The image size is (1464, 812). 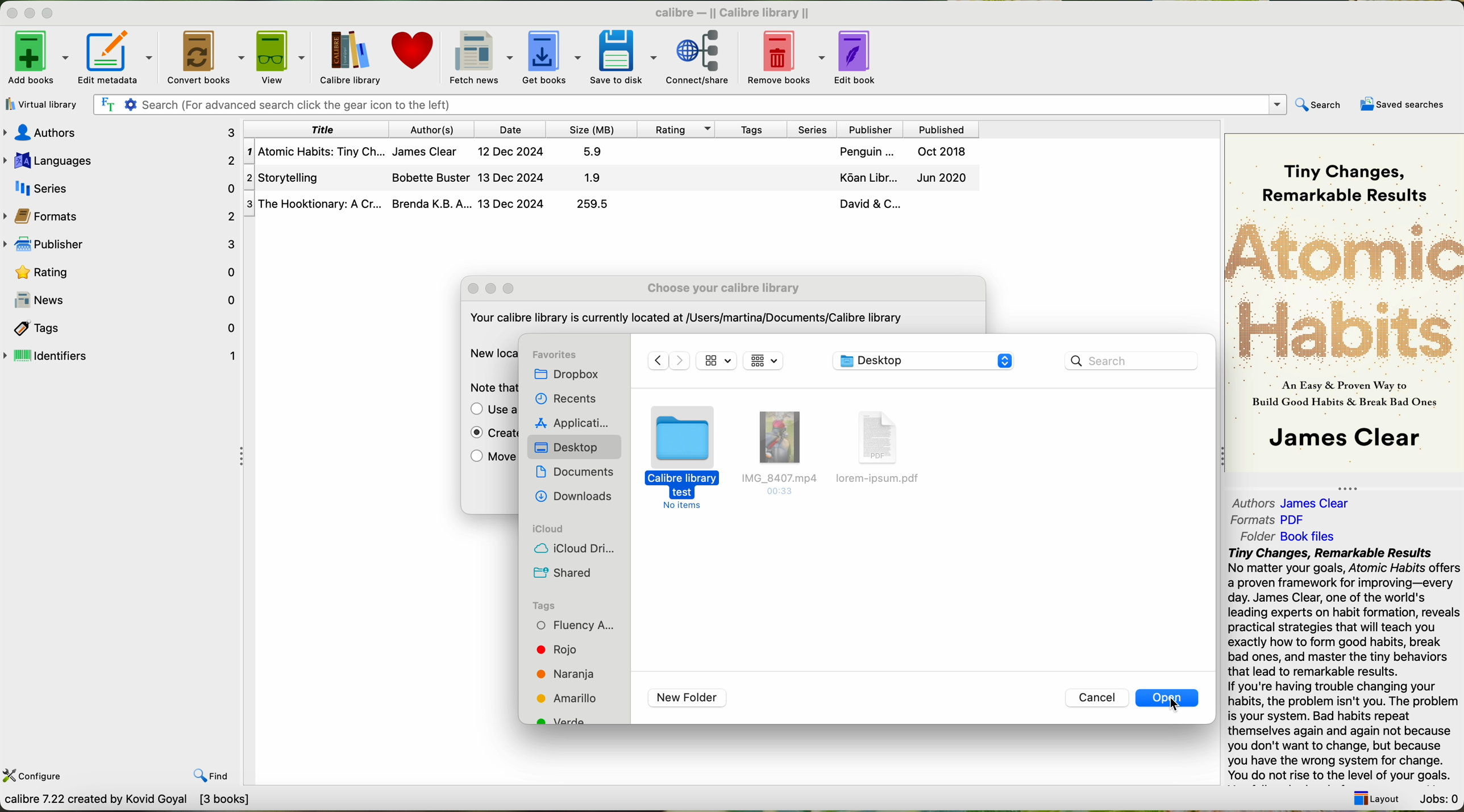 I want to click on configure, so click(x=35, y=774).